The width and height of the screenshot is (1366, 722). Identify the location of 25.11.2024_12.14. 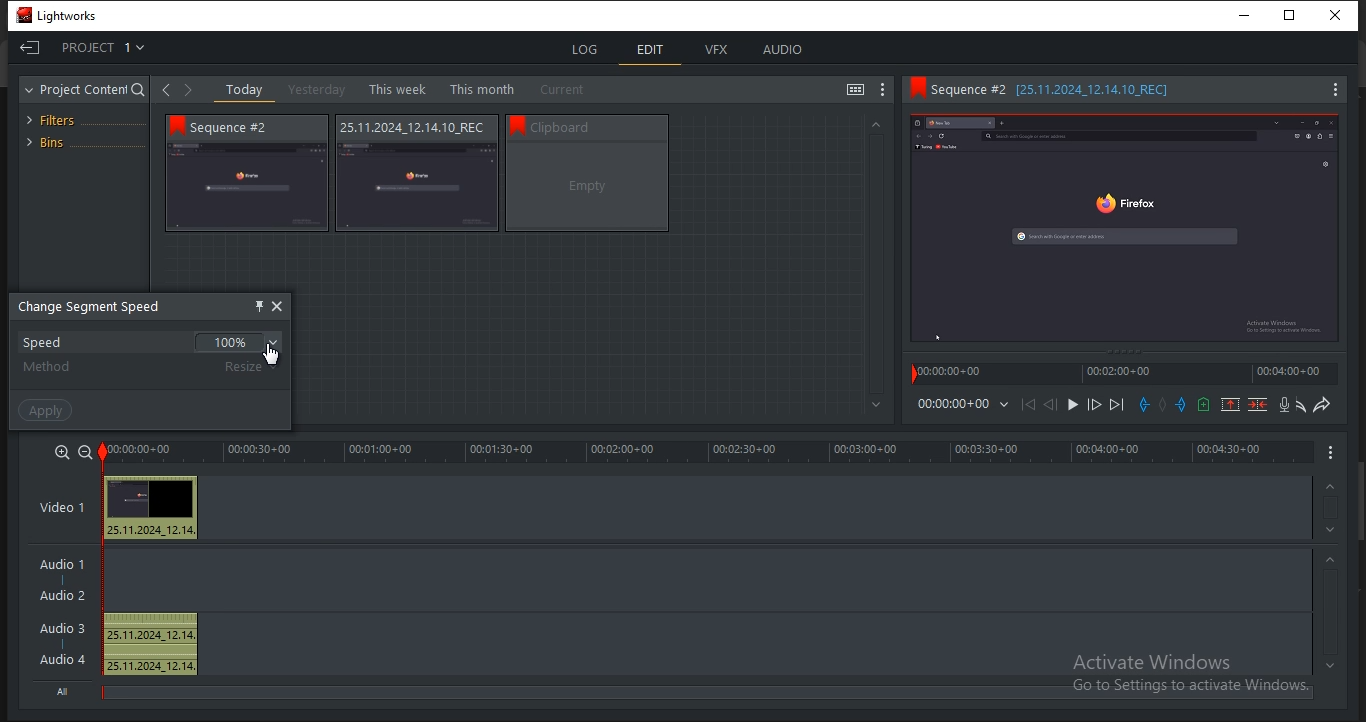
(152, 531).